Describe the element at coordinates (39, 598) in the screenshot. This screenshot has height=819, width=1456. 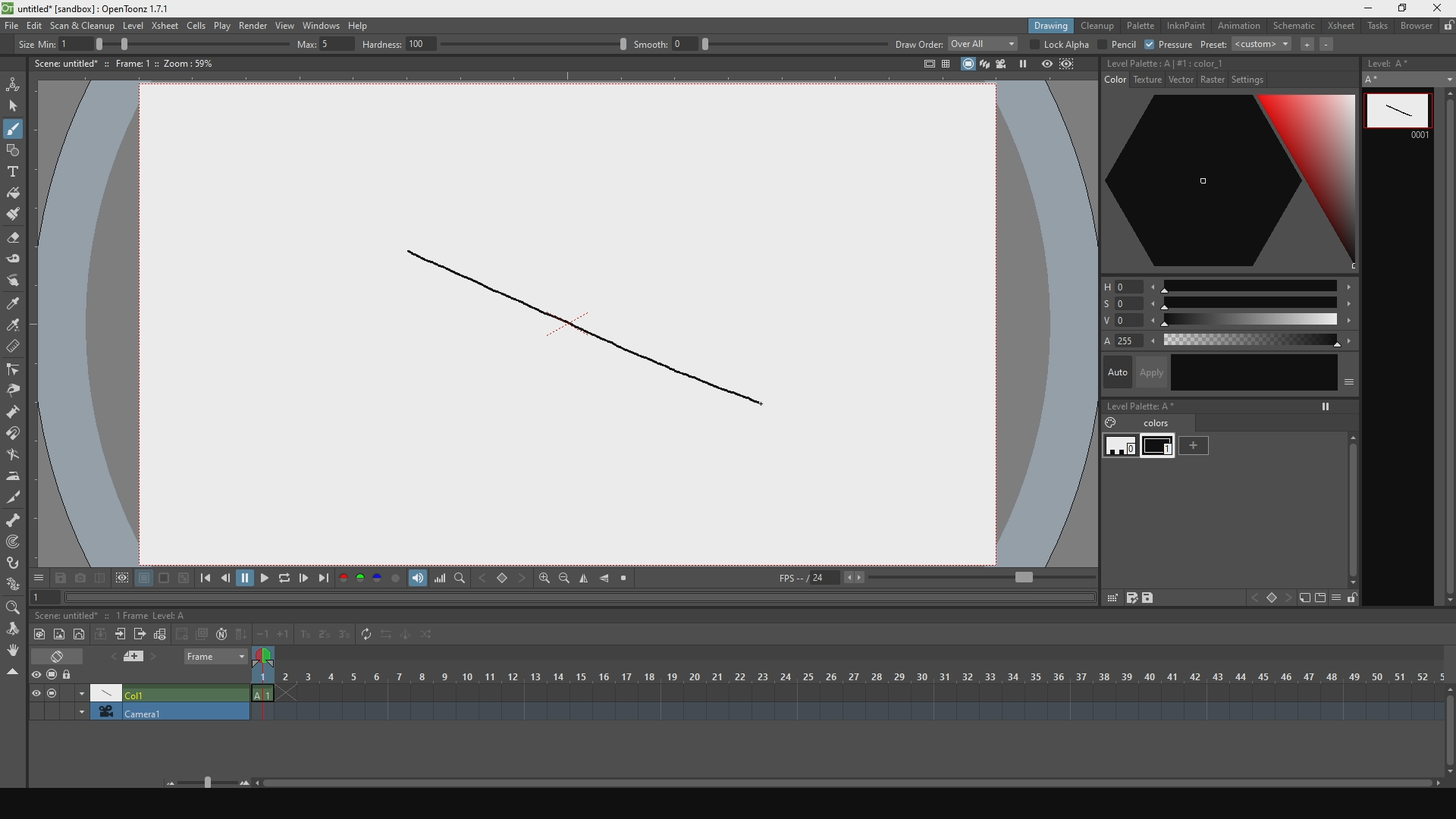
I see `1` at that location.